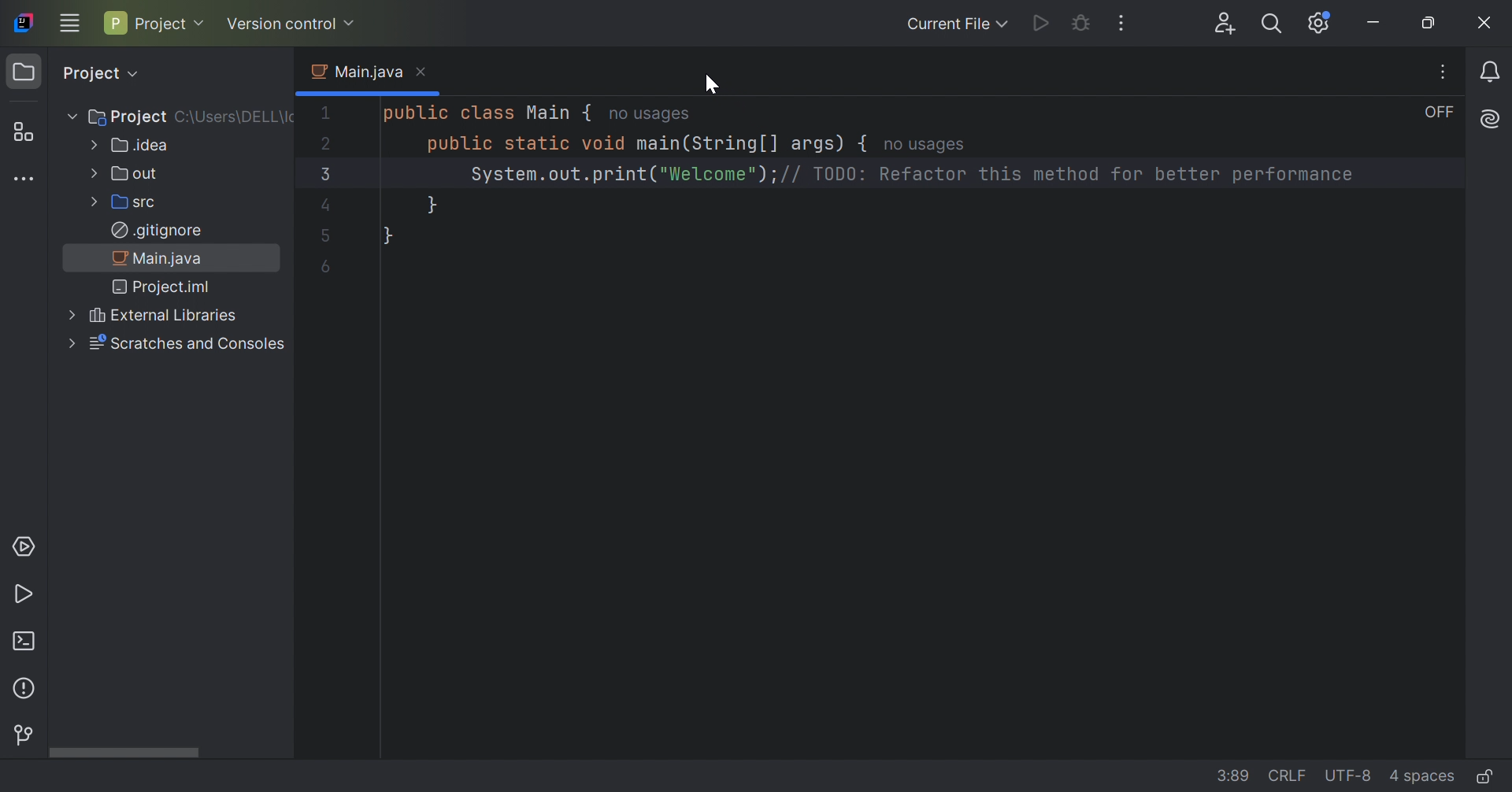 Image resolution: width=1512 pixels, height=792 pixels. Describe the element at coordinates (118, 115) in the screenshot. I see `Project` at that location.